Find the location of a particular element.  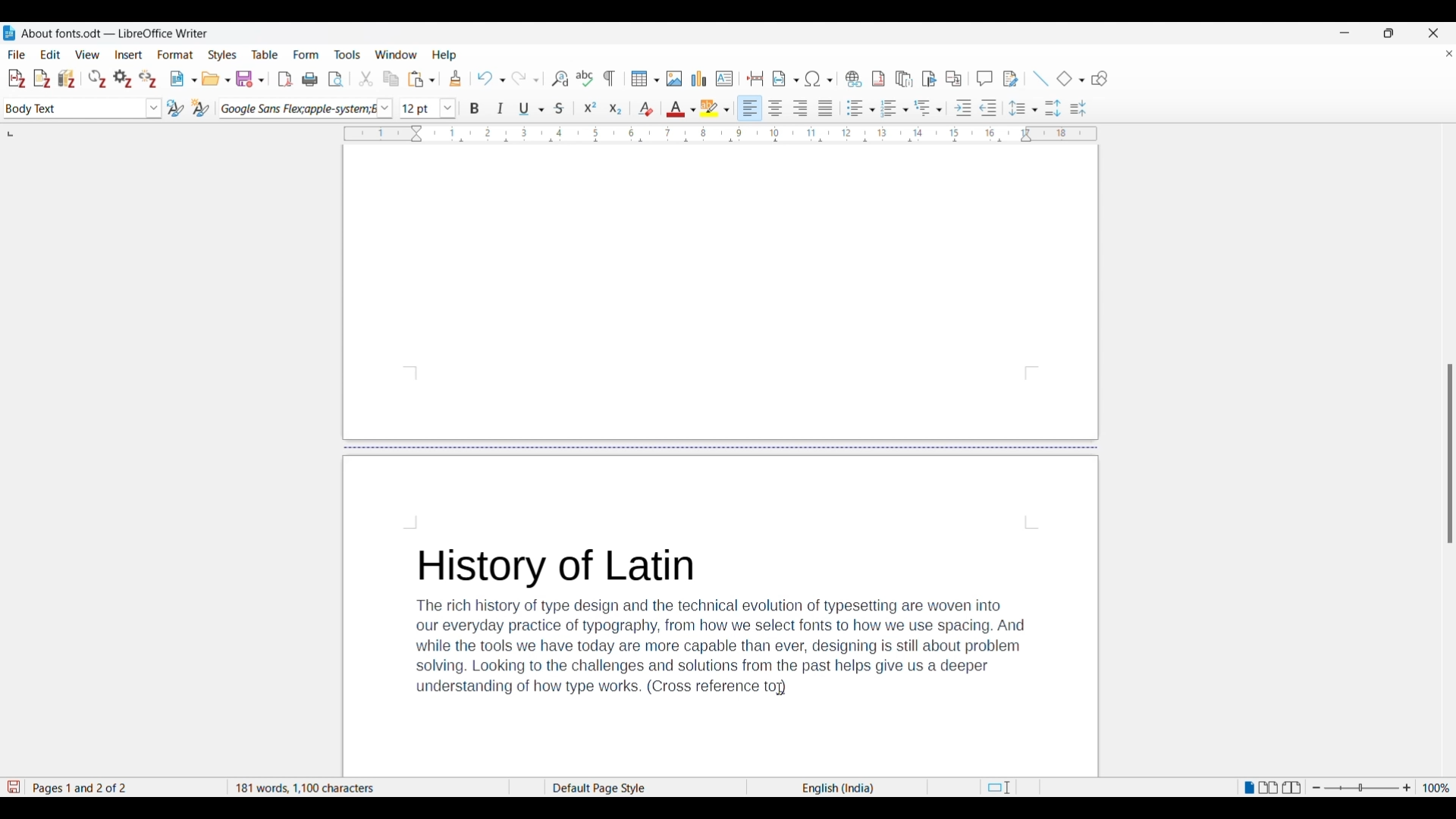

Toggle ordered list is located at coordinates (894, 108).